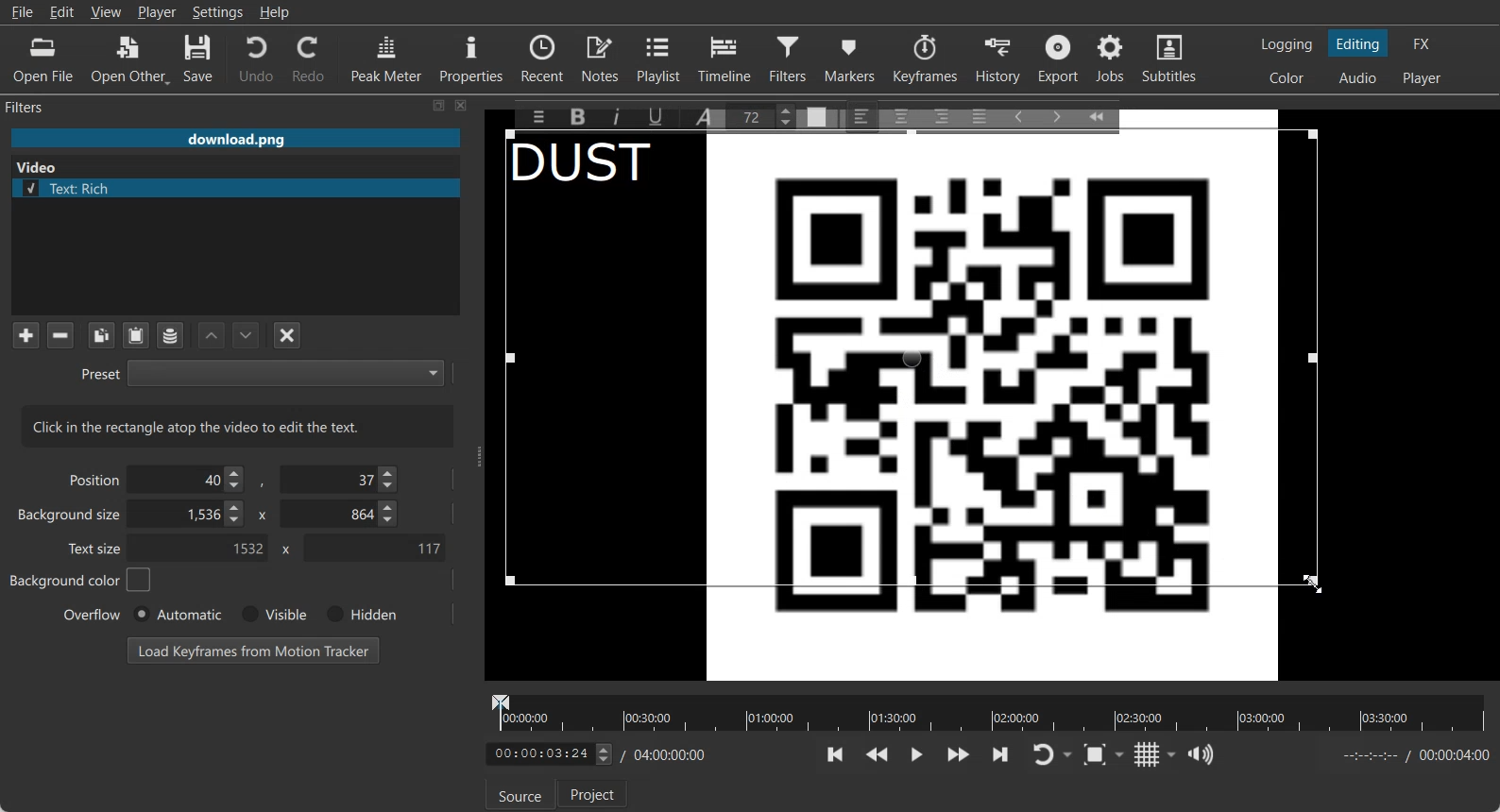 This screenshot has height=812, width=1500. I want to click on Background size X- Coordinate, so click(190, 516).